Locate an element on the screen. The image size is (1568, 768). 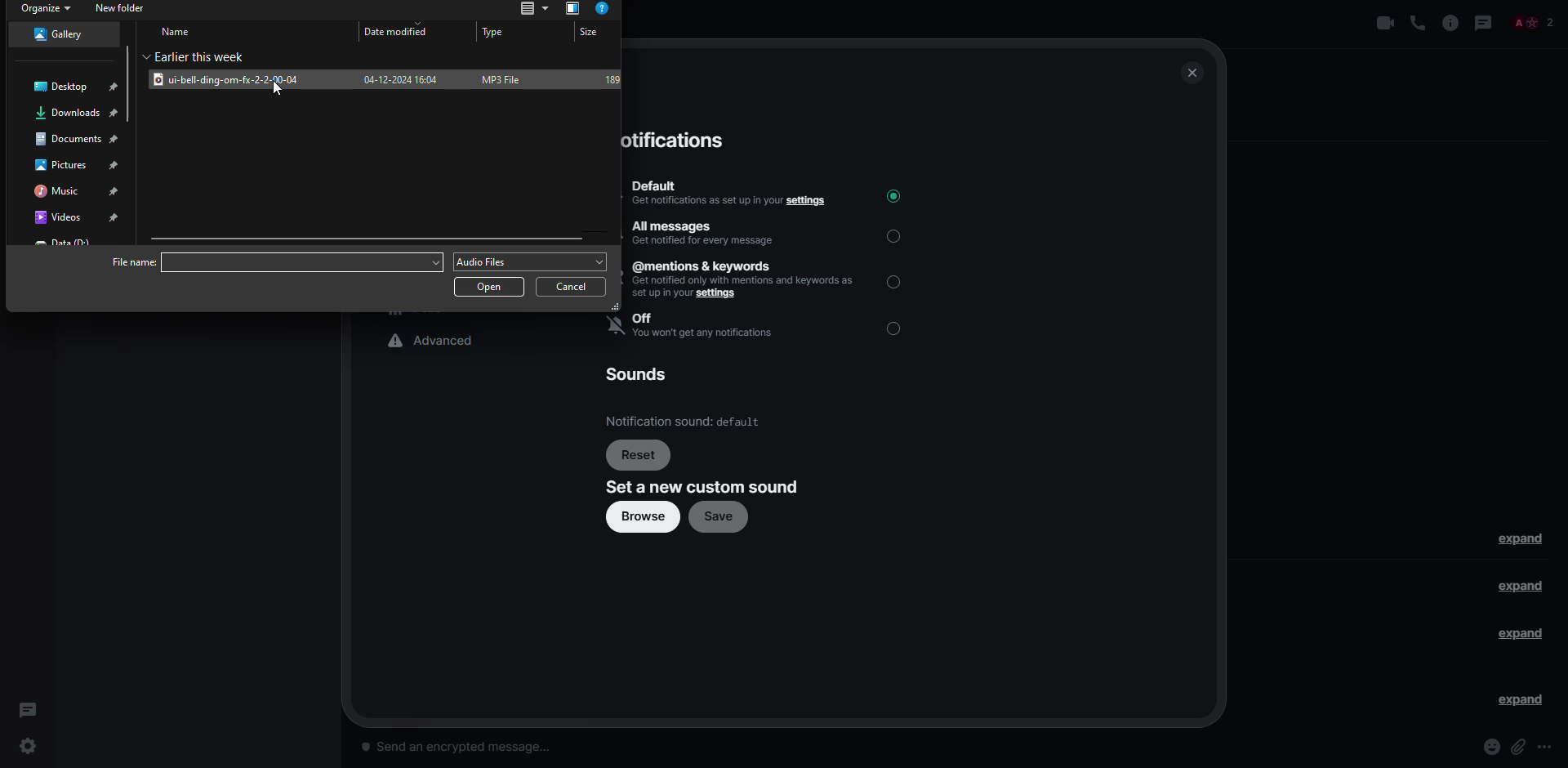
new folder is located at coordinates (127, 8).